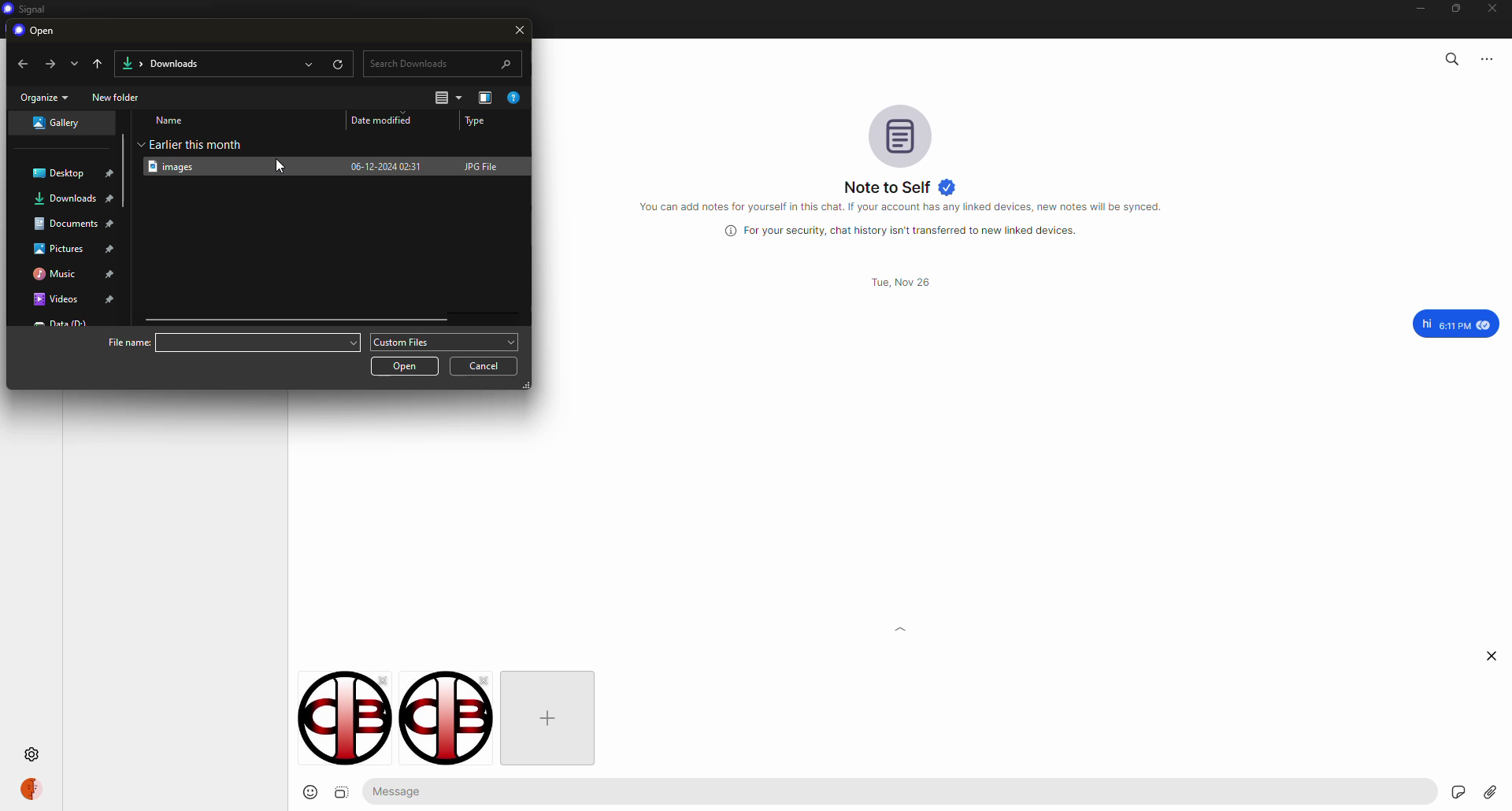 This screenshot has height=811, width=1512. I want to click on expand, so click(901, 648).